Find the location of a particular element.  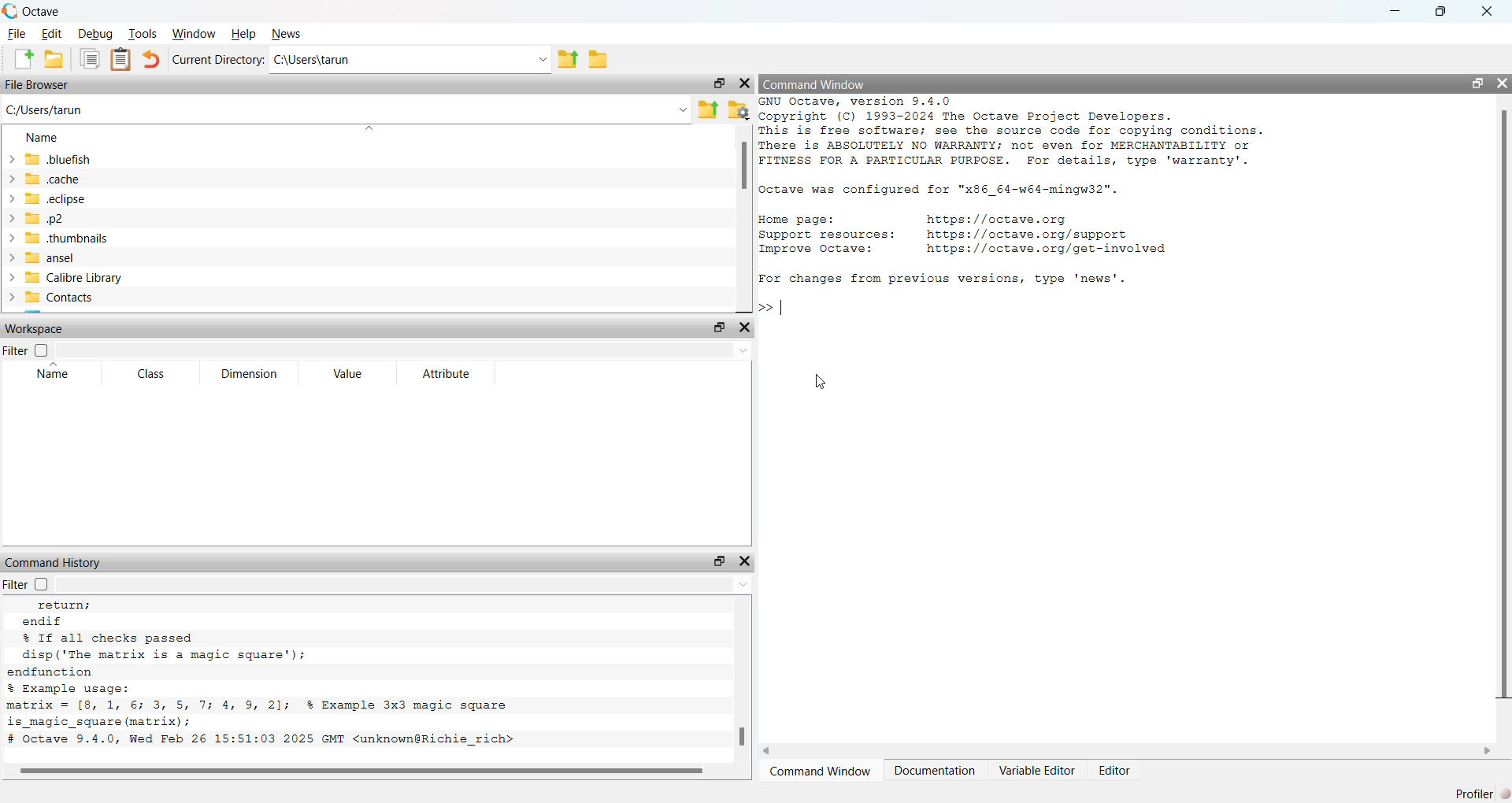

Current Directory: is located at coordinates (218, 60).